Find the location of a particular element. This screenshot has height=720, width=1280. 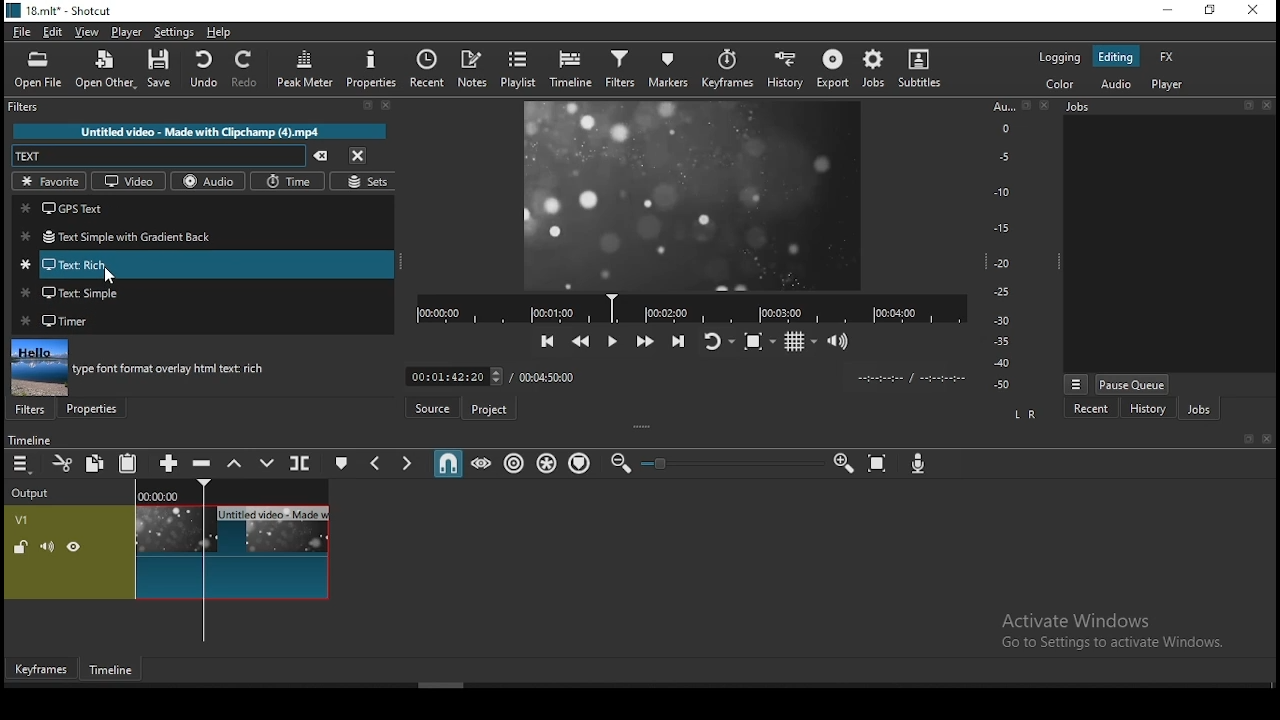

filters is located at coordinates (619, 72).